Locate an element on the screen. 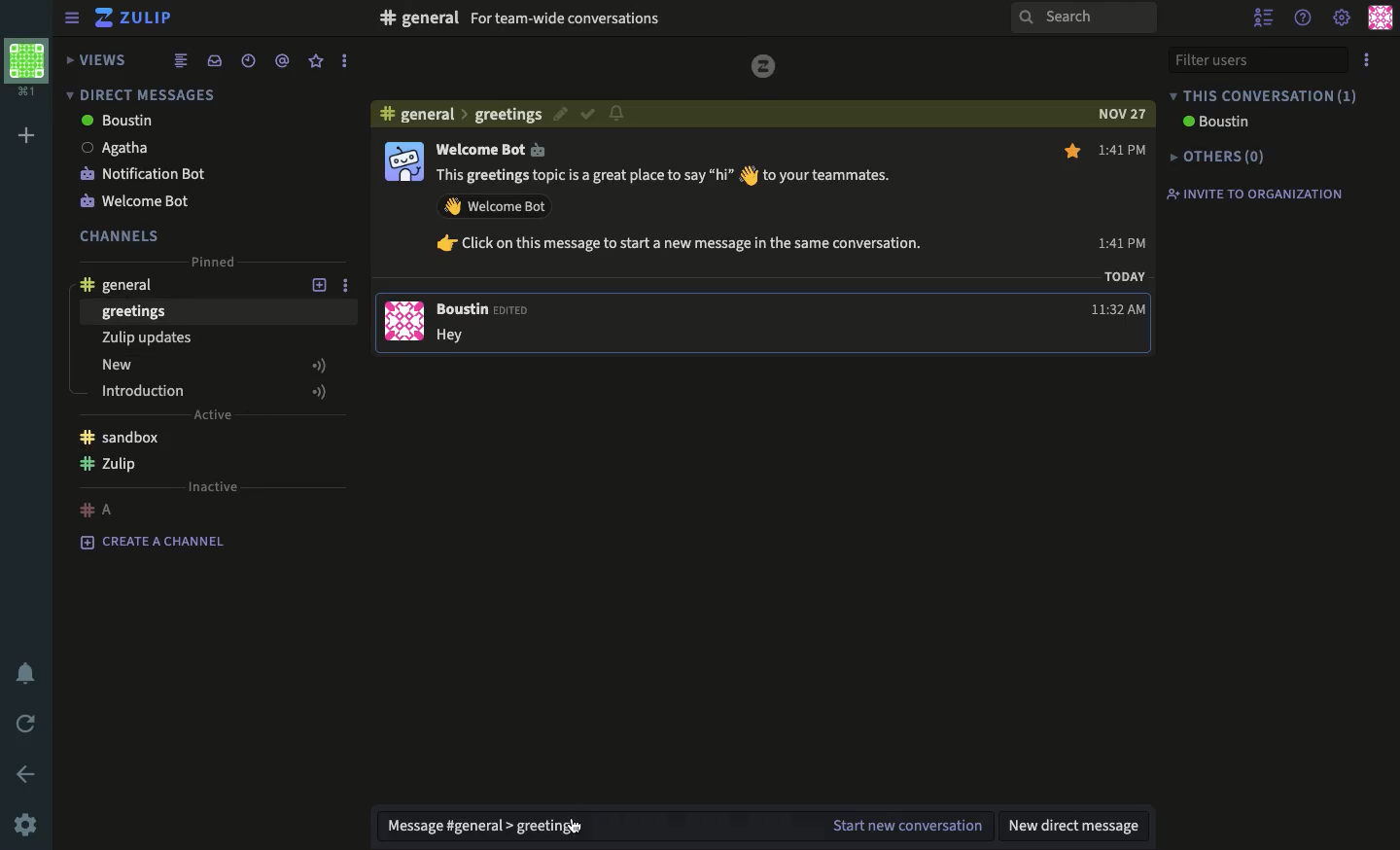 The height and width of the screenshot is (850, 1400). general is located at coordinates (119, 286).